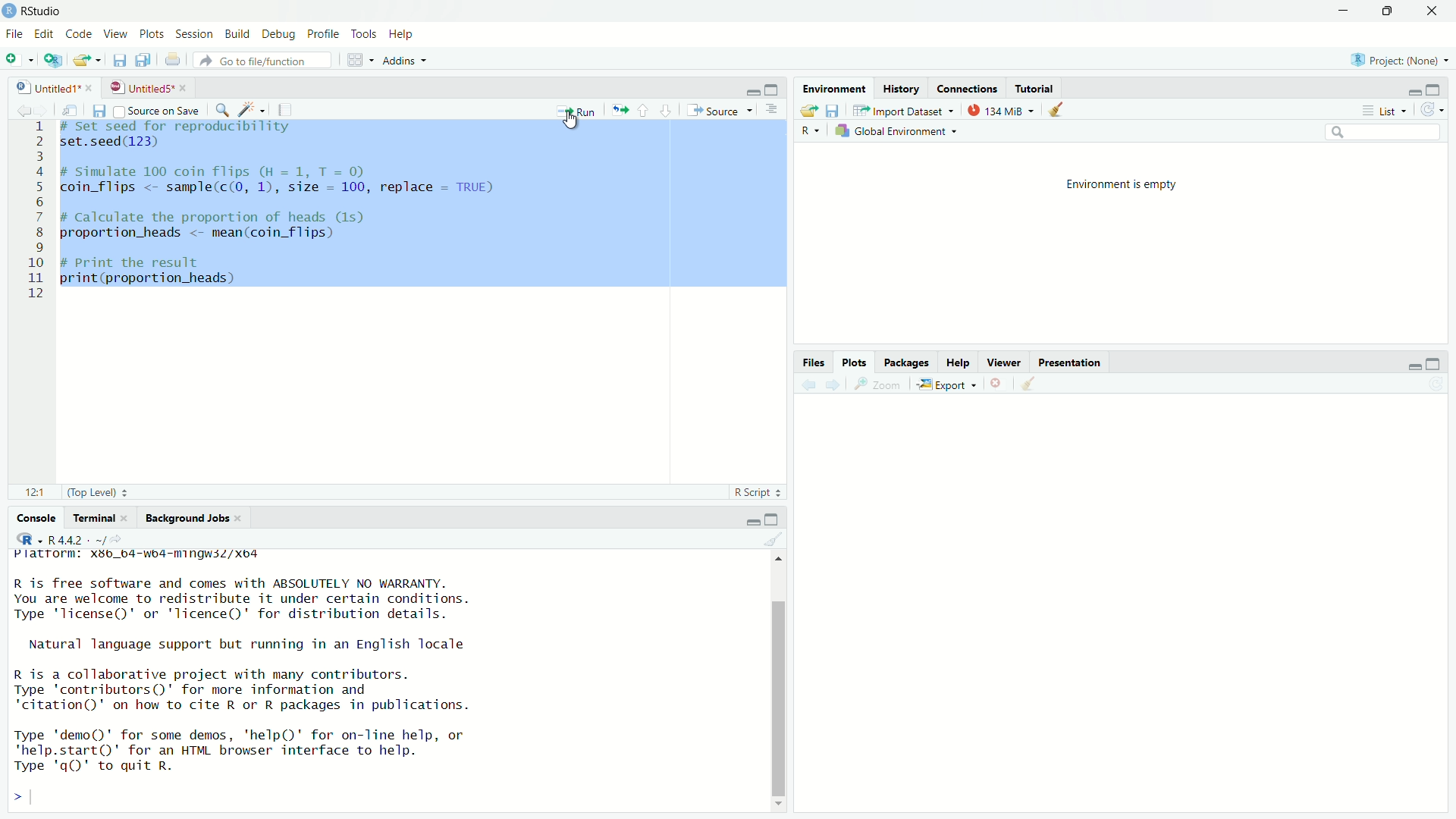  Describe the element at coordinates (222, 109) in the screenshot. I see `find/replace` at that location.